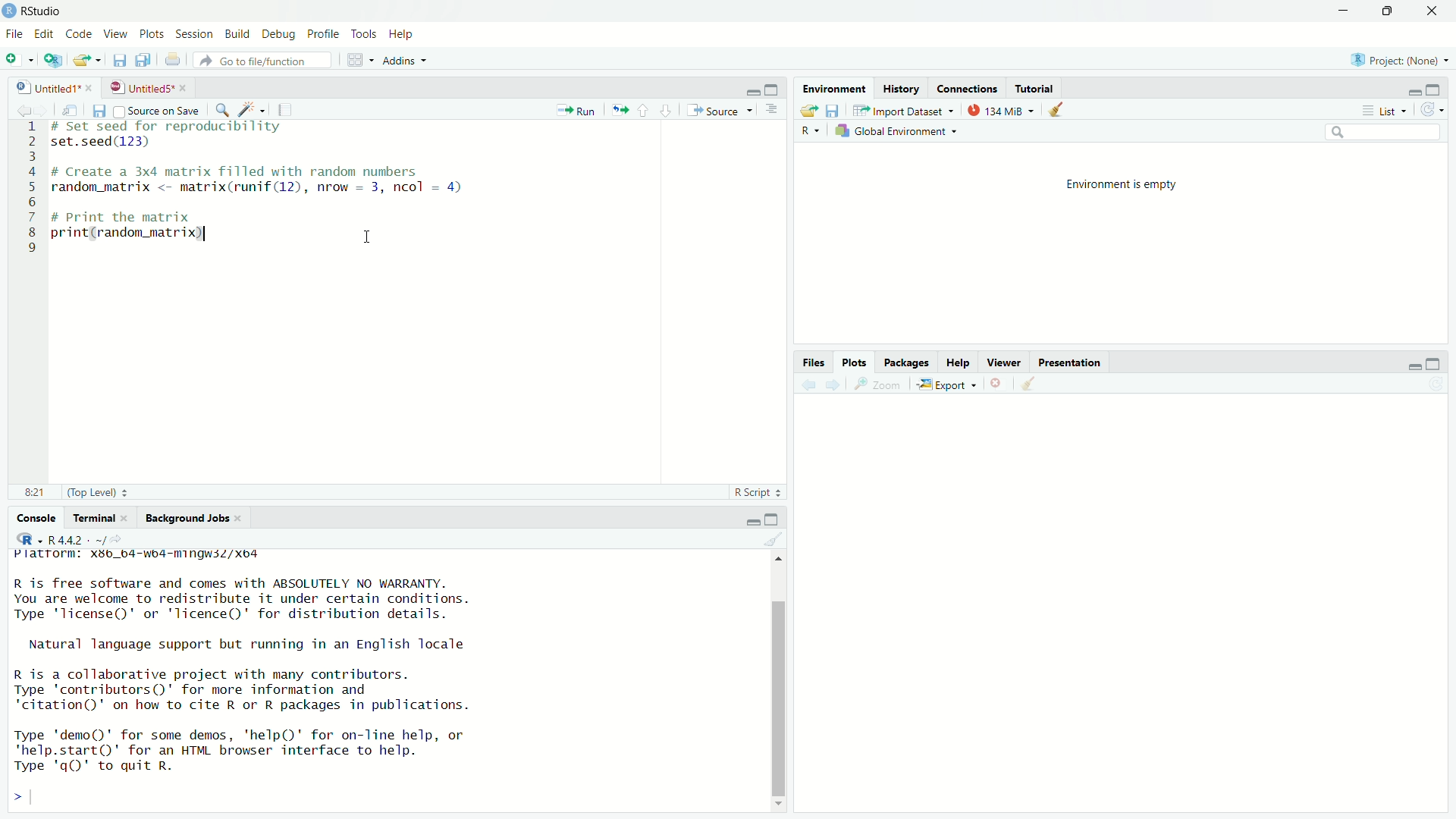  I want to click on export, so click(809, 109).